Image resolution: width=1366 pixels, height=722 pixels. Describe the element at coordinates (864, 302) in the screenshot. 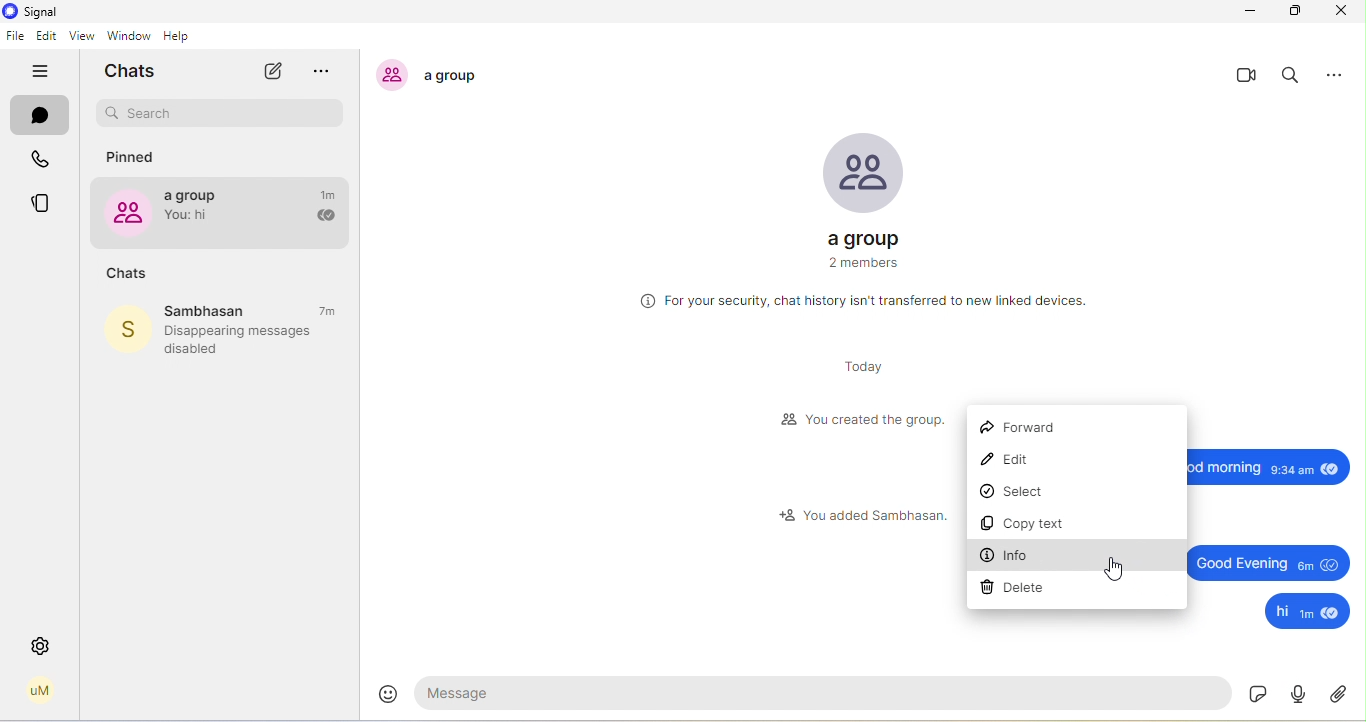

I see `chat history disabled in connected device` at that location.